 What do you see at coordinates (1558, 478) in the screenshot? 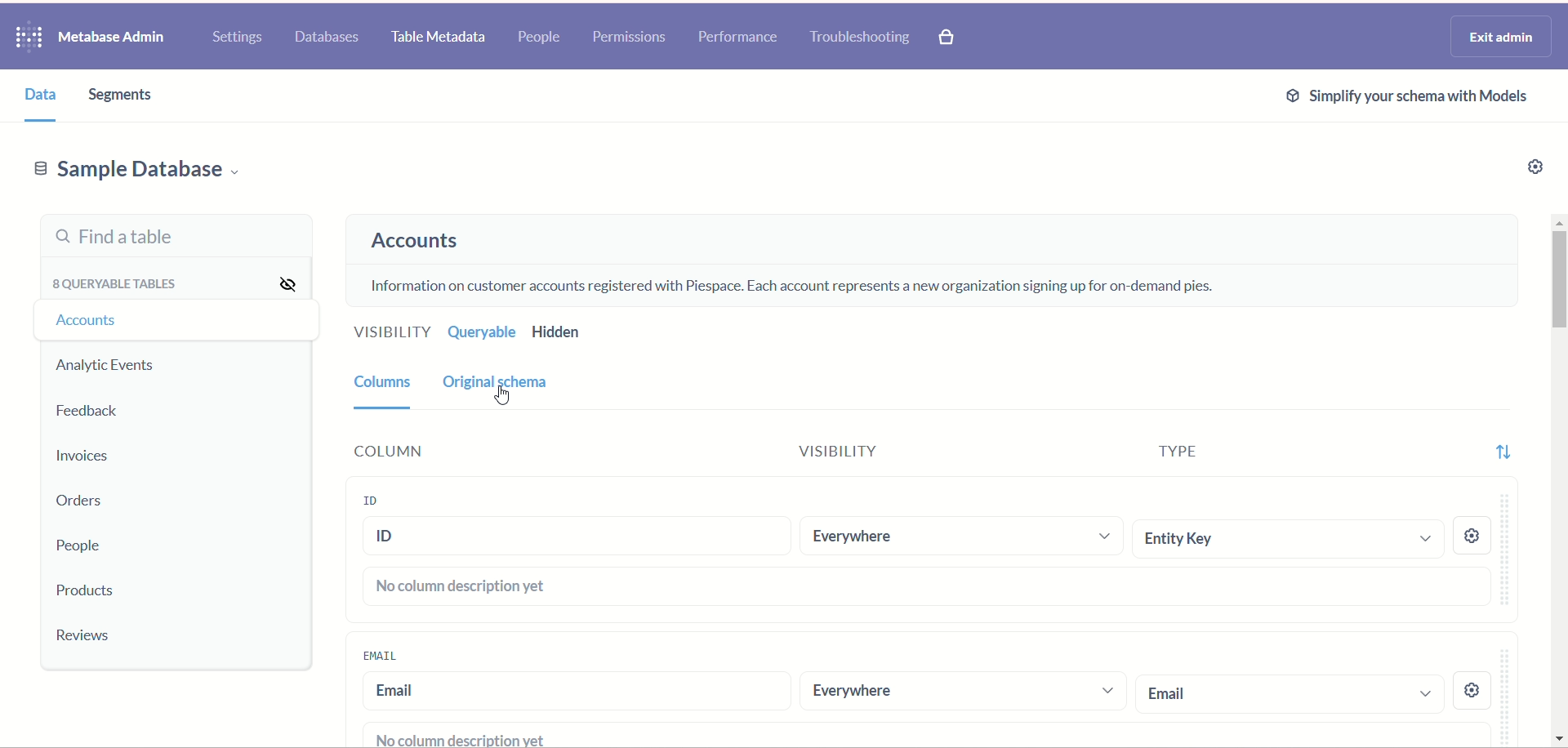
I see `vertical scroll bar` at bounding box center [1558, 478].